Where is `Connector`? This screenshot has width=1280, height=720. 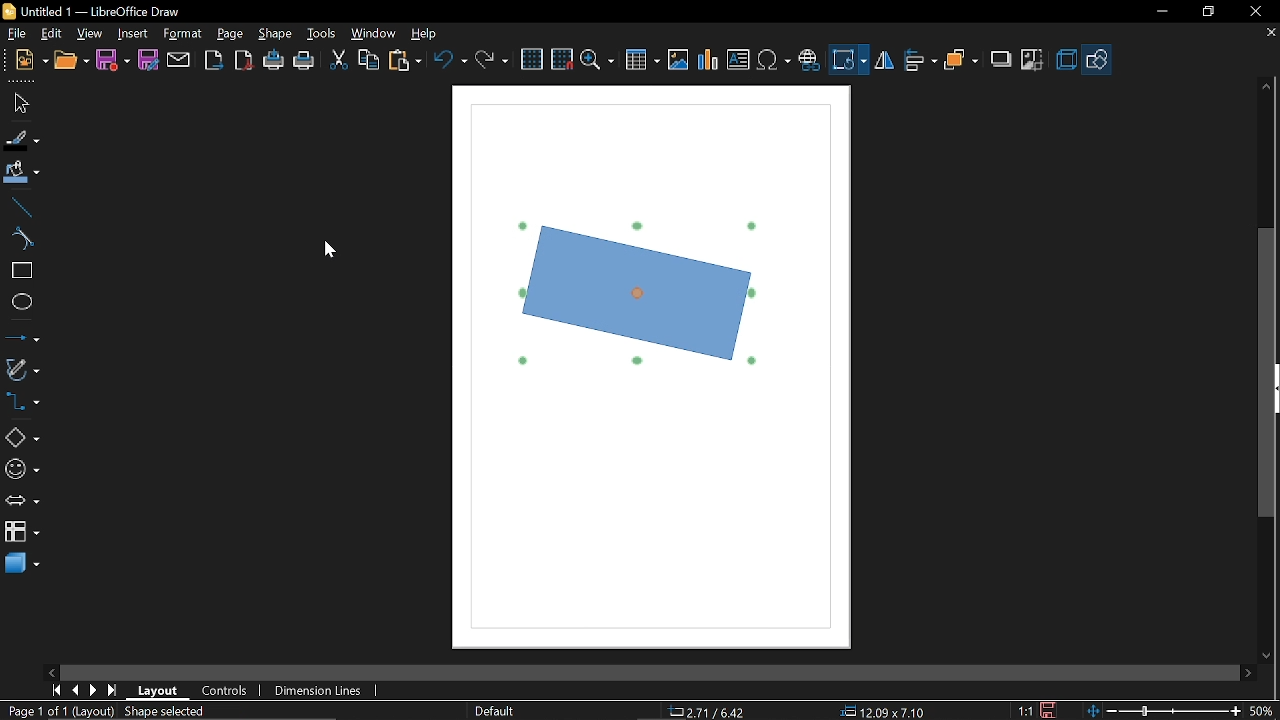
Connector is located at coordinates (22, 404).